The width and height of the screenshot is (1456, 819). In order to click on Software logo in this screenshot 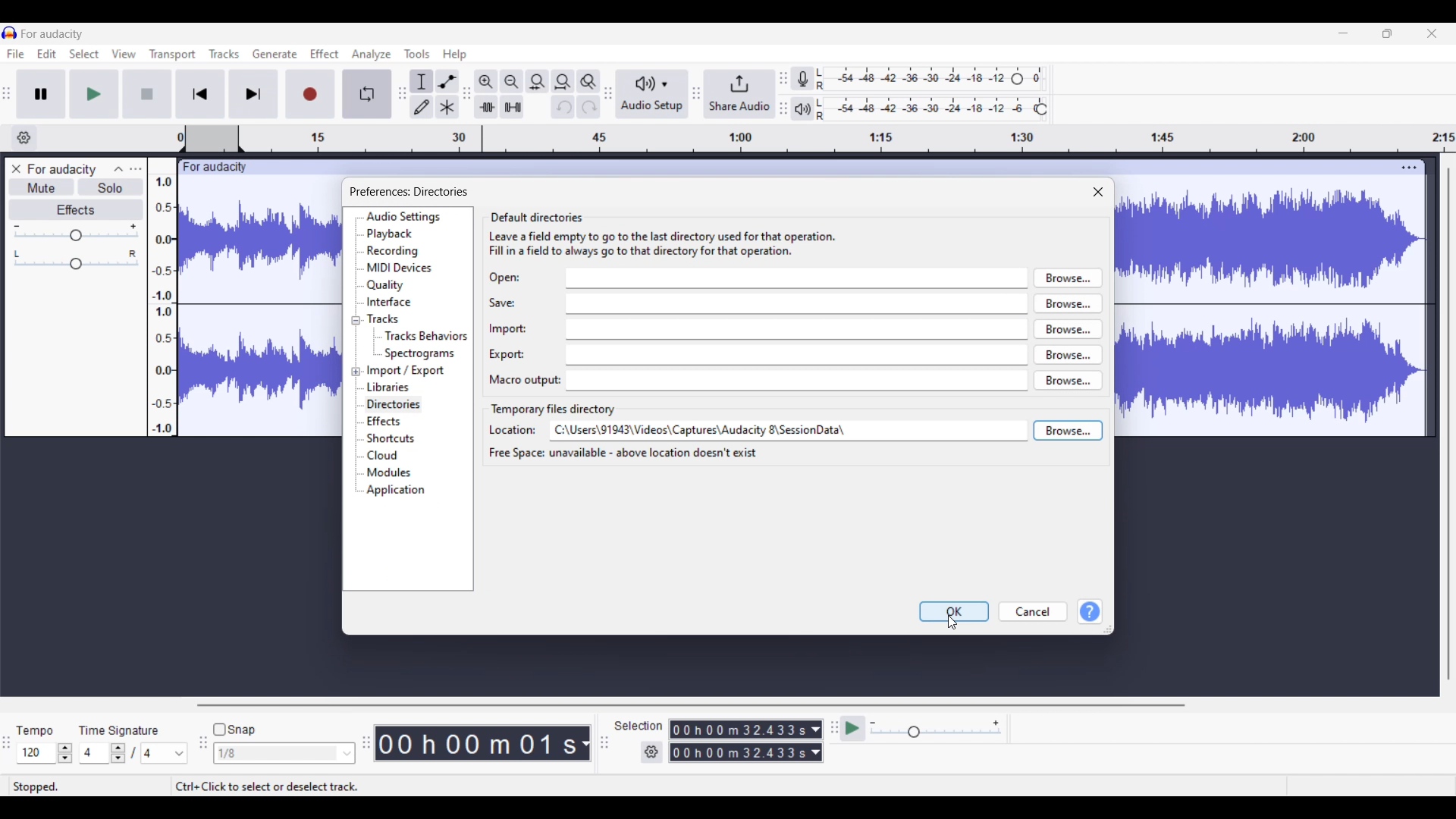, I will do `click(10, 33)`.